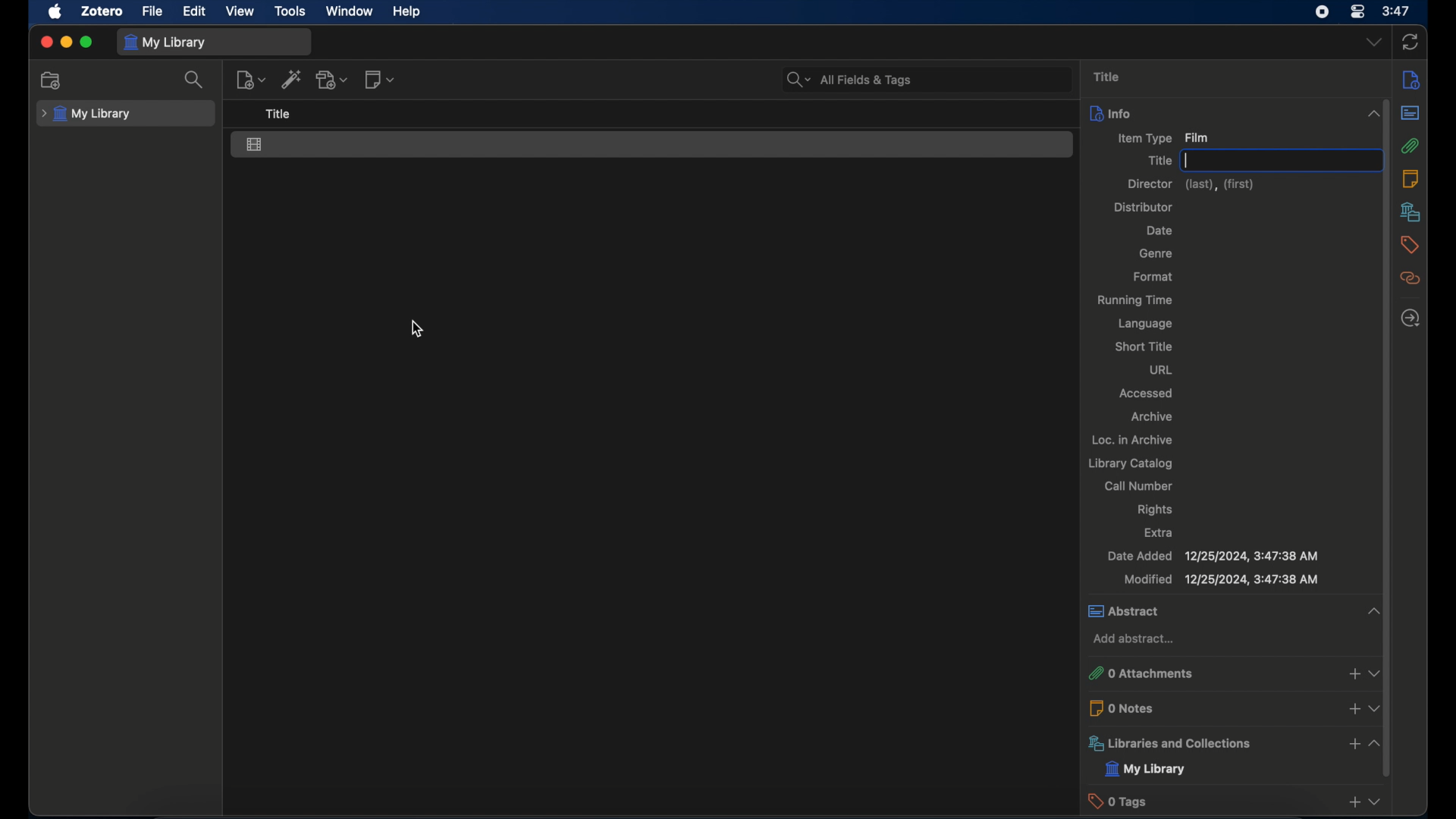  Describe the element at coordinates (86, 114) in the screenshot. I see `my library` at that location.